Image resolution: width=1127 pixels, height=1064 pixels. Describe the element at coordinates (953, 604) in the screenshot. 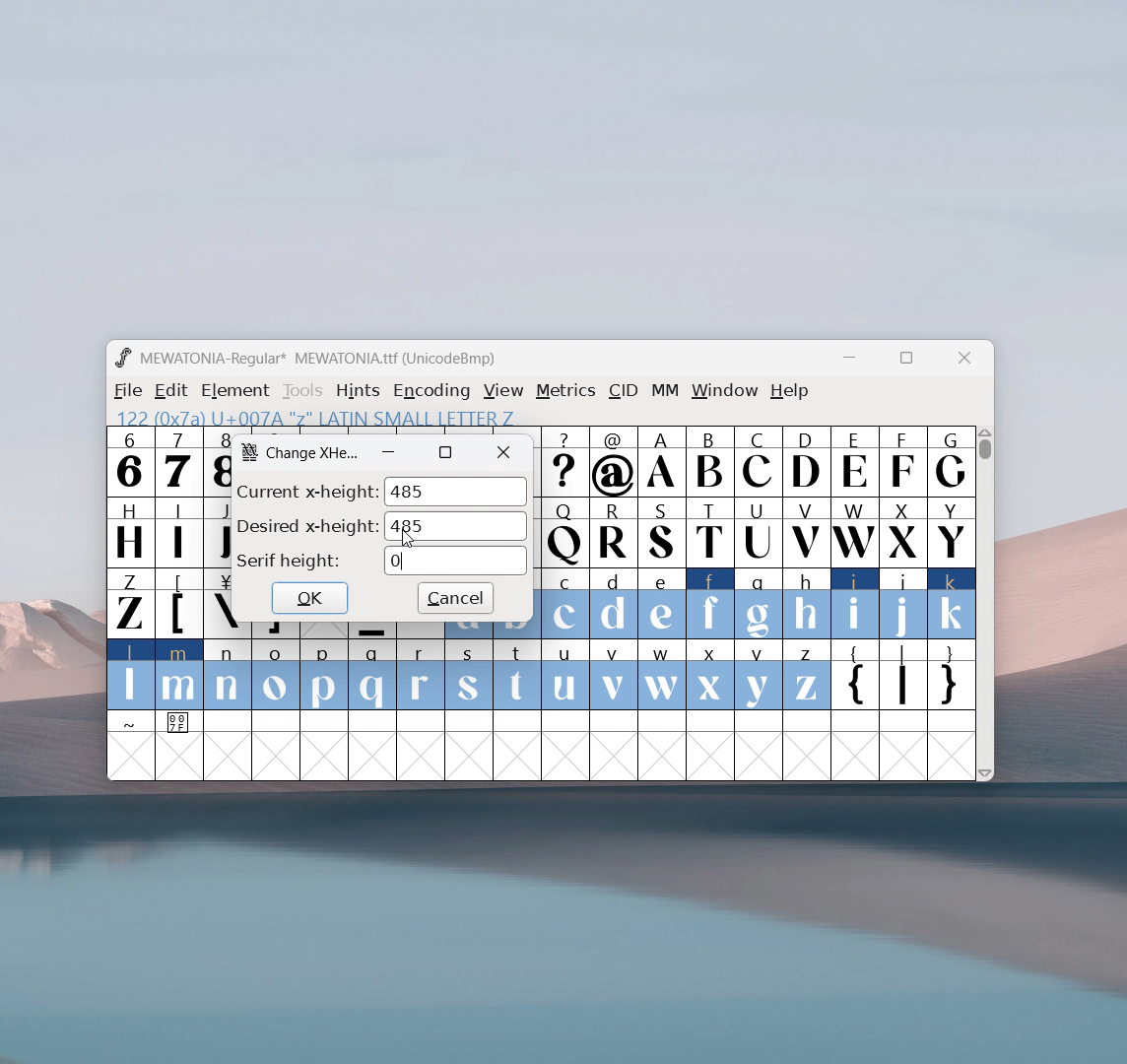

I see `k` at that location.